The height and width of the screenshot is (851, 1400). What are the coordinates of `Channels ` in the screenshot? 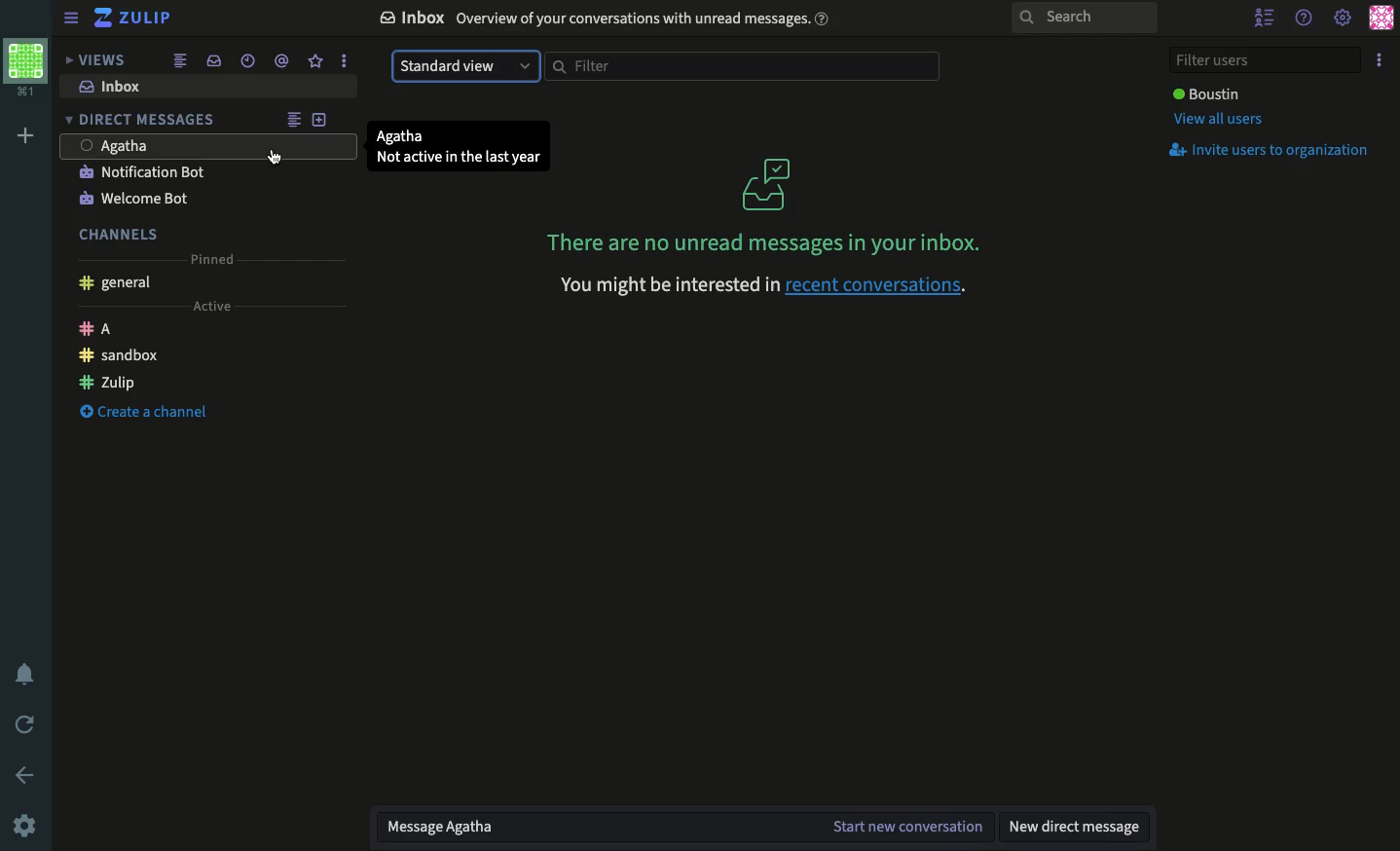 It's located at (116, 235).